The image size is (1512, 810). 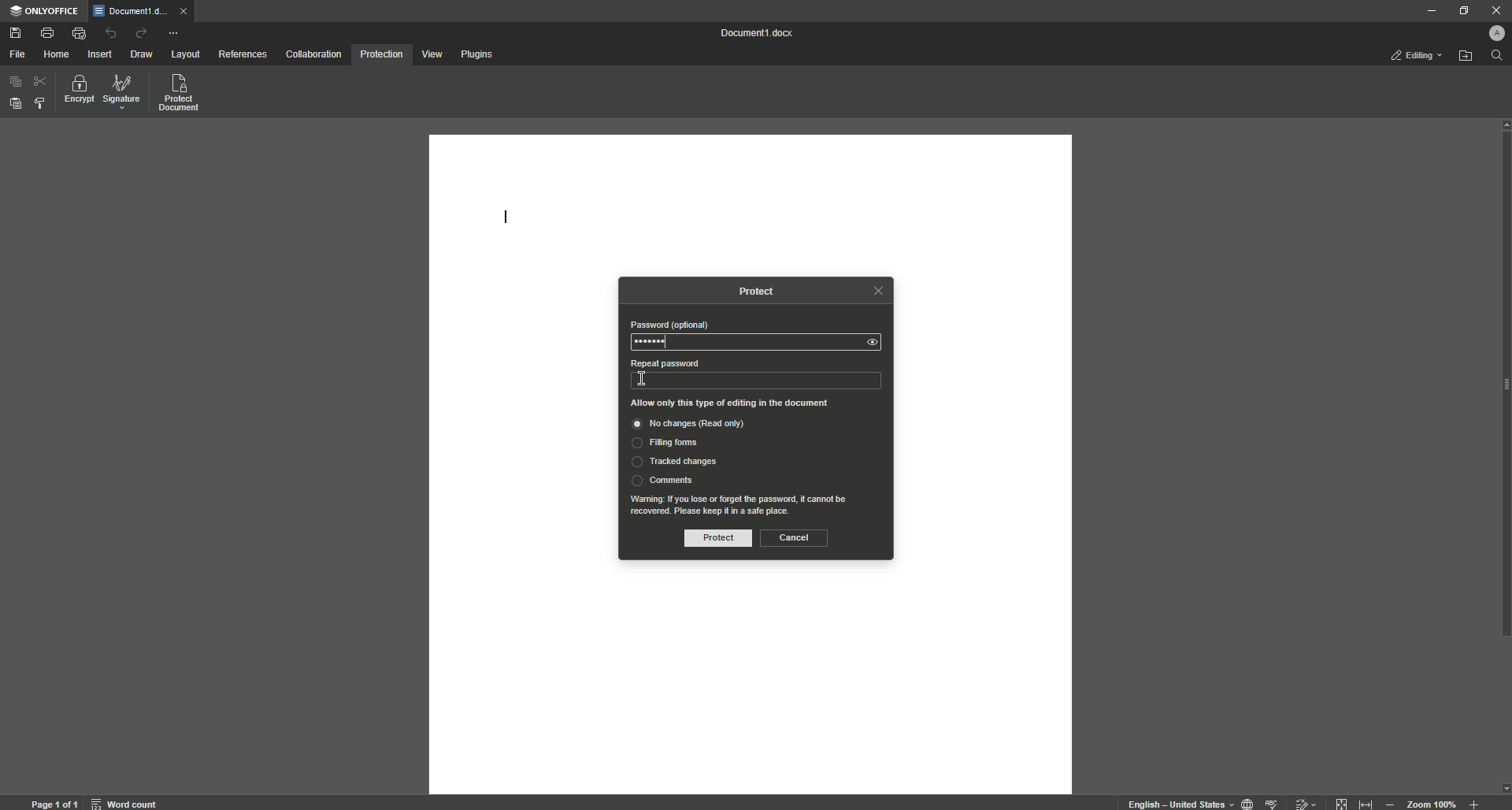 What do you see at coordinates (763, 292) in the screenshot?
I see `Protect` at bounding box center [763, 292].